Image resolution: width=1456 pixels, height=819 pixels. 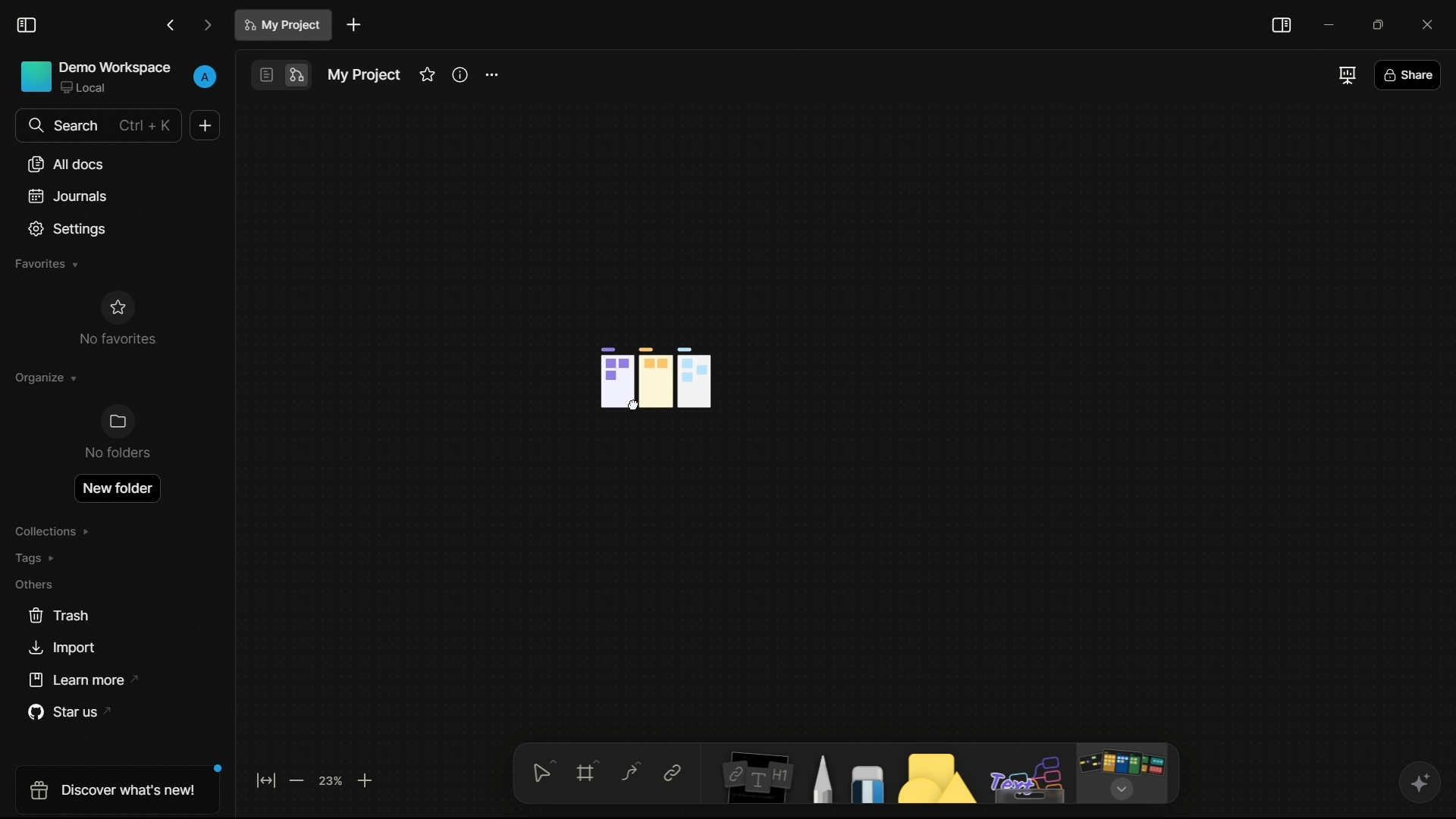 I want to click on import, so click(x=61, y=648).